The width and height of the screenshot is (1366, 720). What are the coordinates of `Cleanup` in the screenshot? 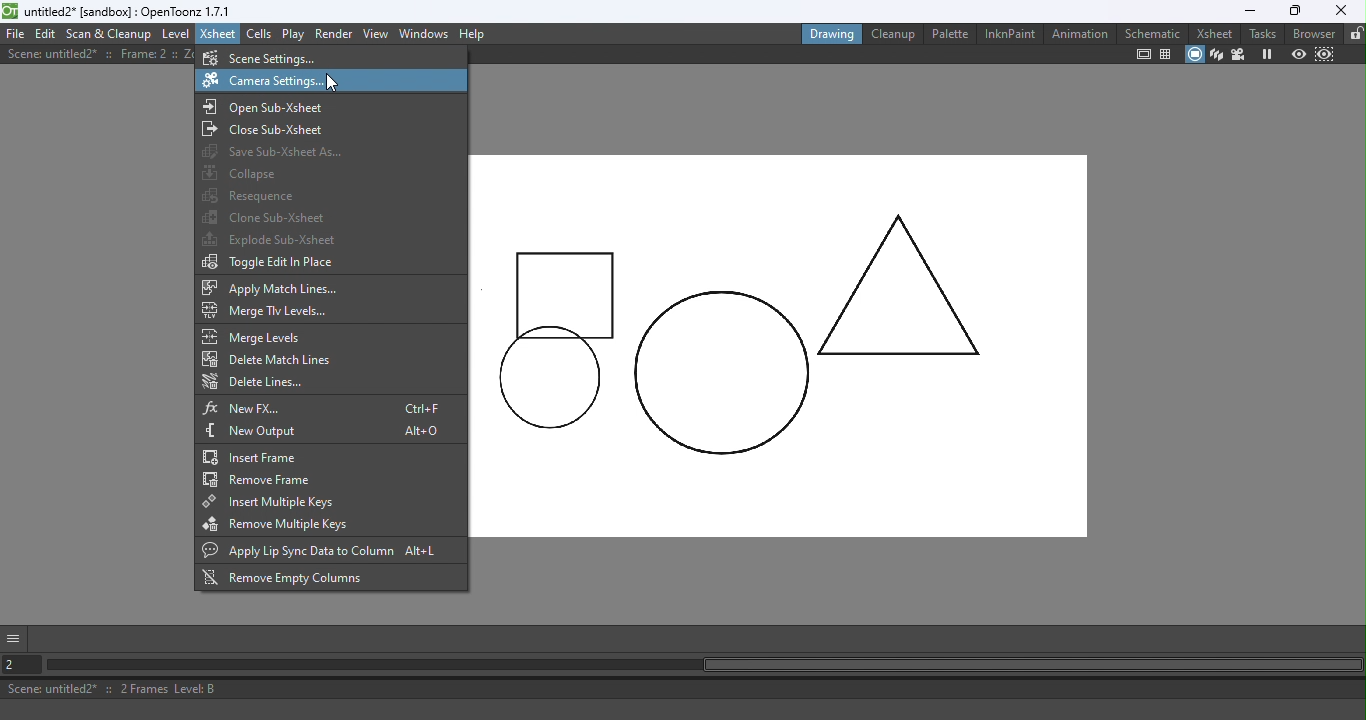 It's located at (891, 33).